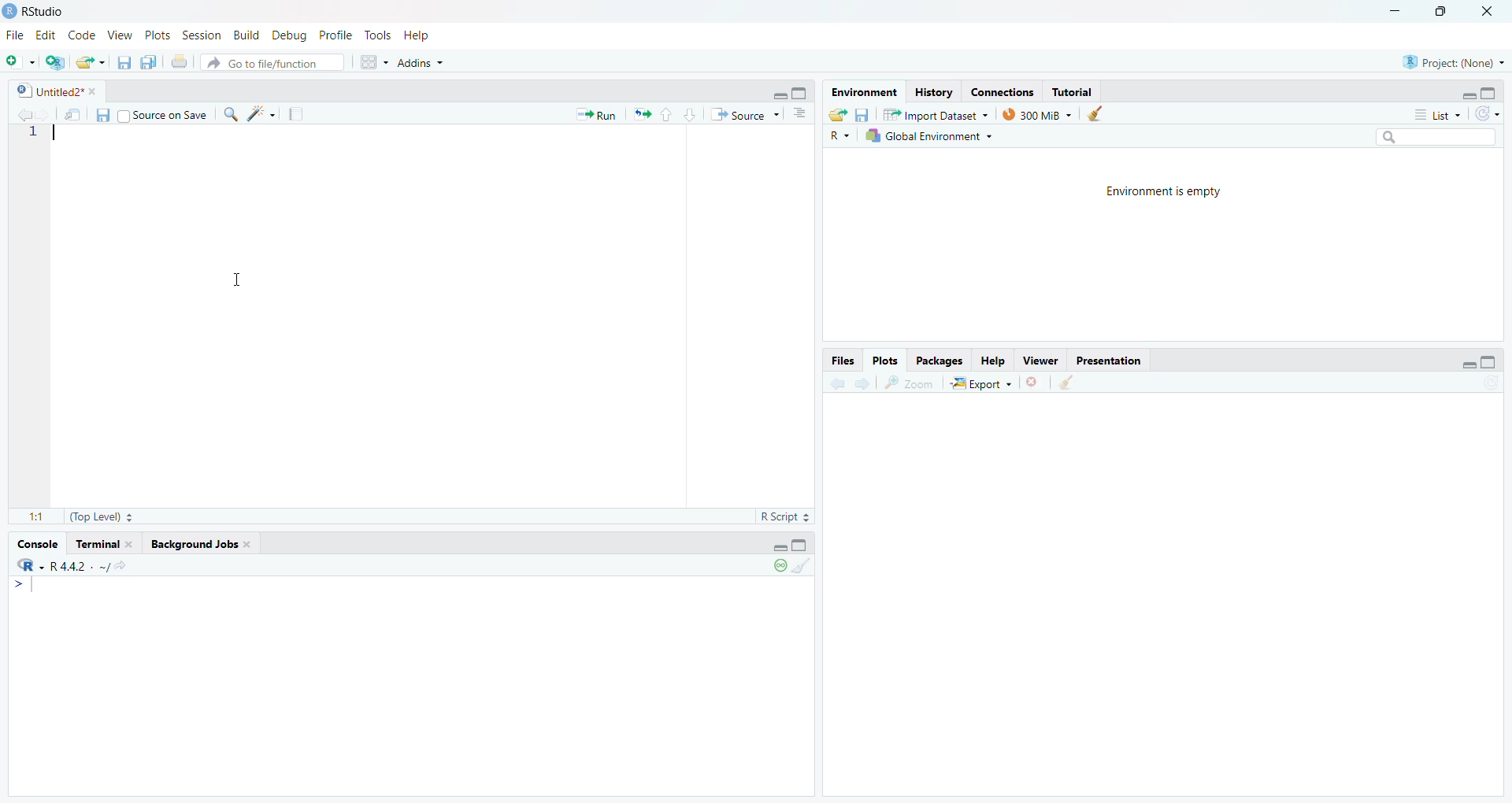 This screenshot has width=1512, height=803. I want to click on R, so click(838, 136).